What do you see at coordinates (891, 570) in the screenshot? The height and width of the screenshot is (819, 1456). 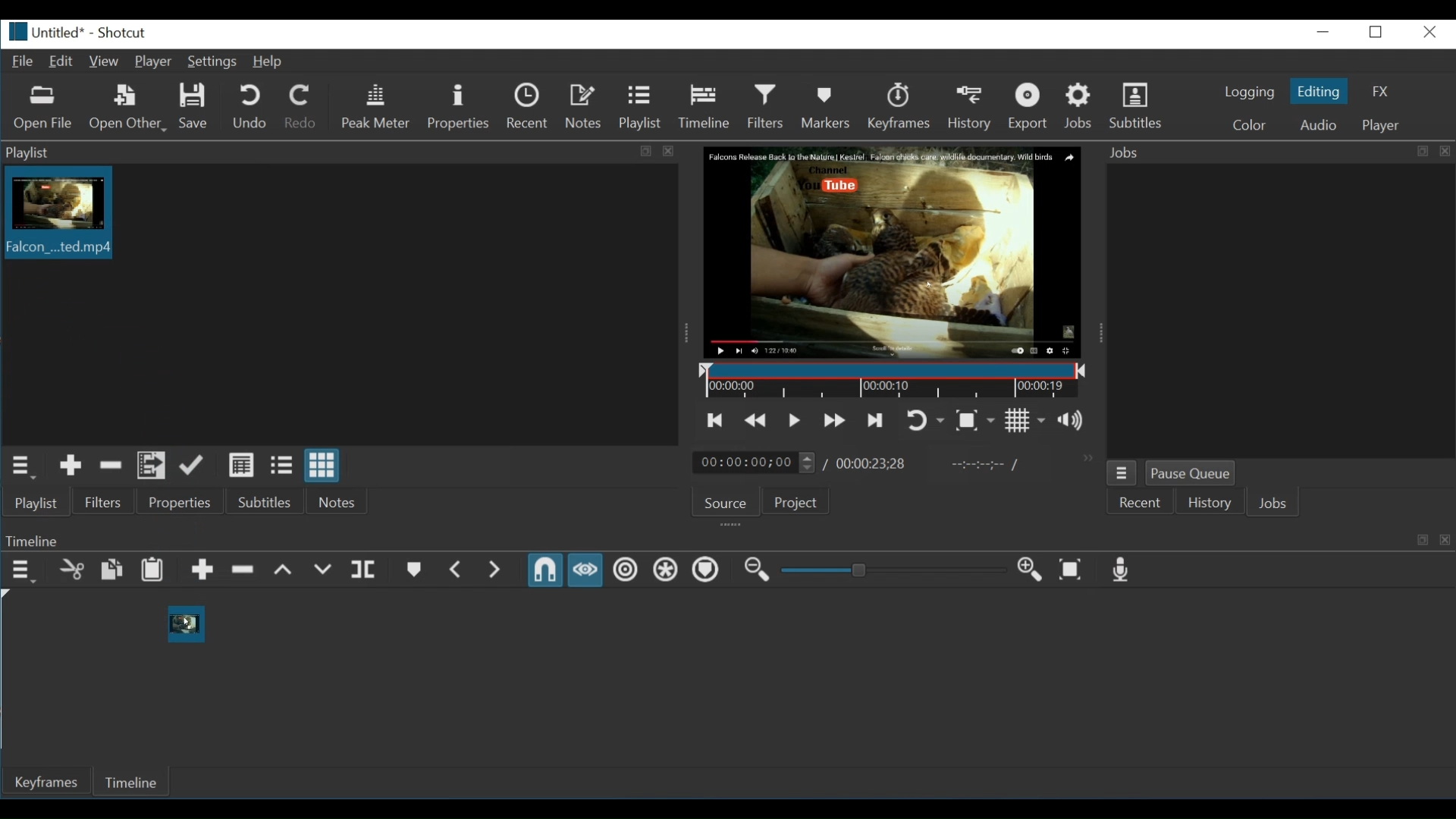 I see `Adjust Zoom timeline` at bounding box center [891, 570].